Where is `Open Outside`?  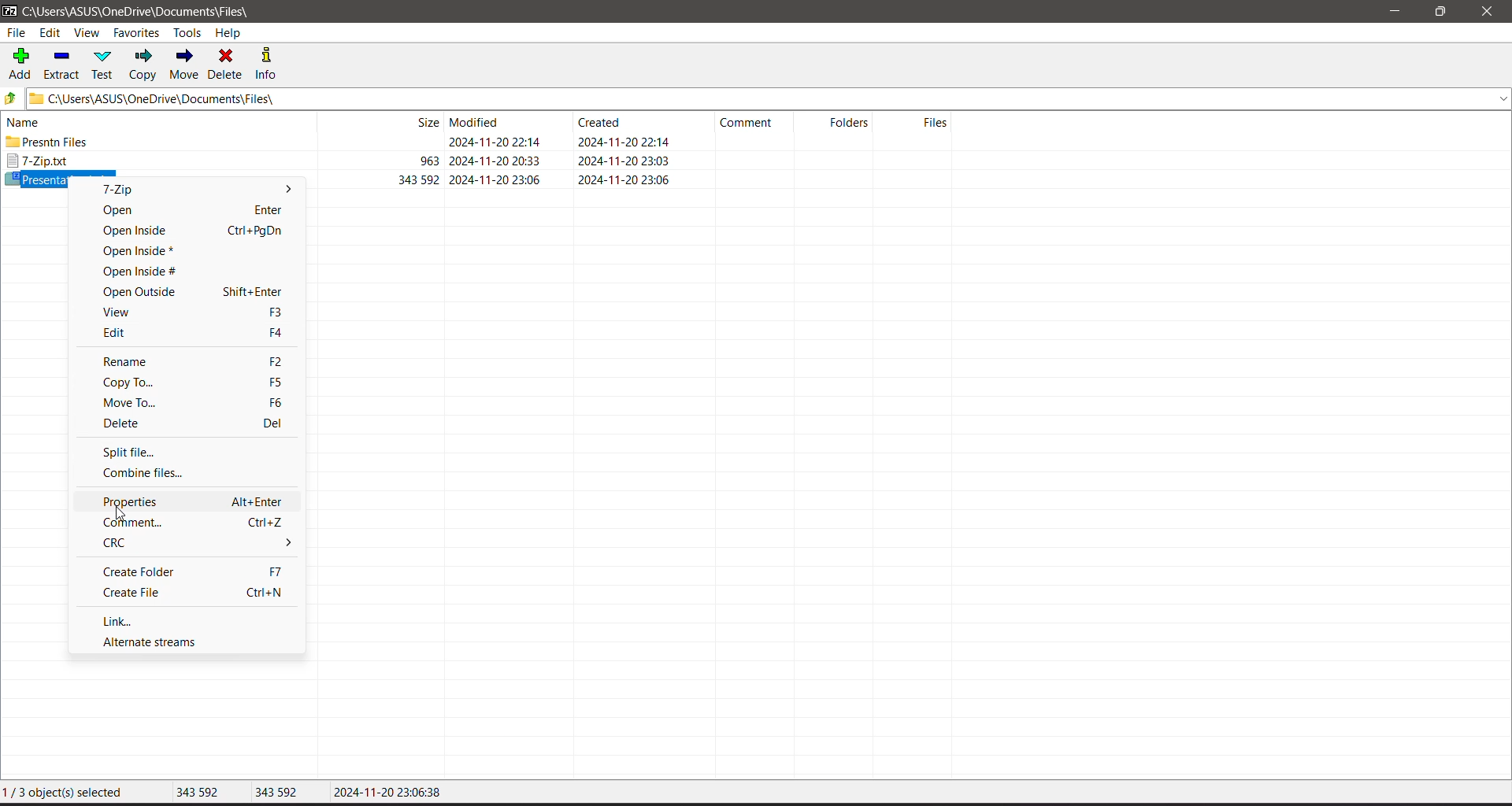
Open Outside is located at coordinates (191, 292).